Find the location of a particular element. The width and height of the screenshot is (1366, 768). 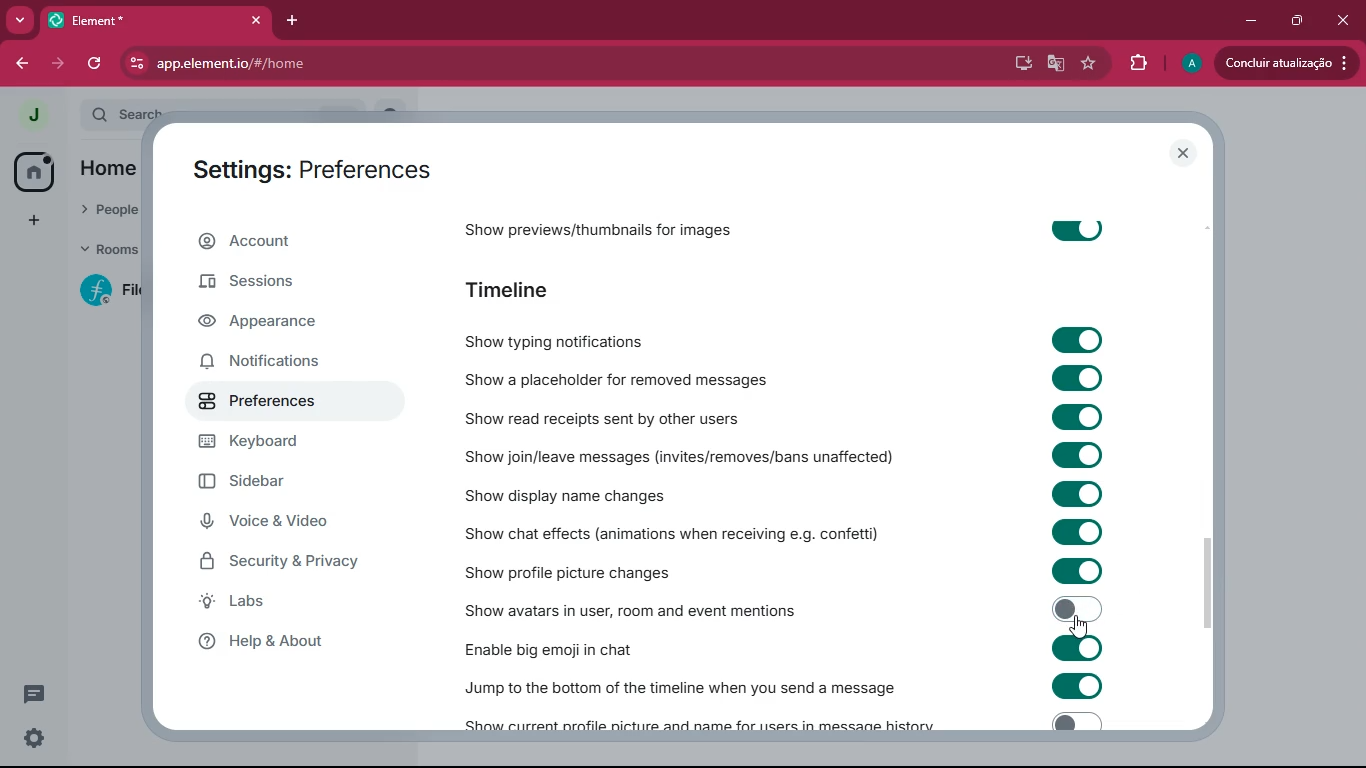

cursor on toggle off is located at coordinates (1081, 629).